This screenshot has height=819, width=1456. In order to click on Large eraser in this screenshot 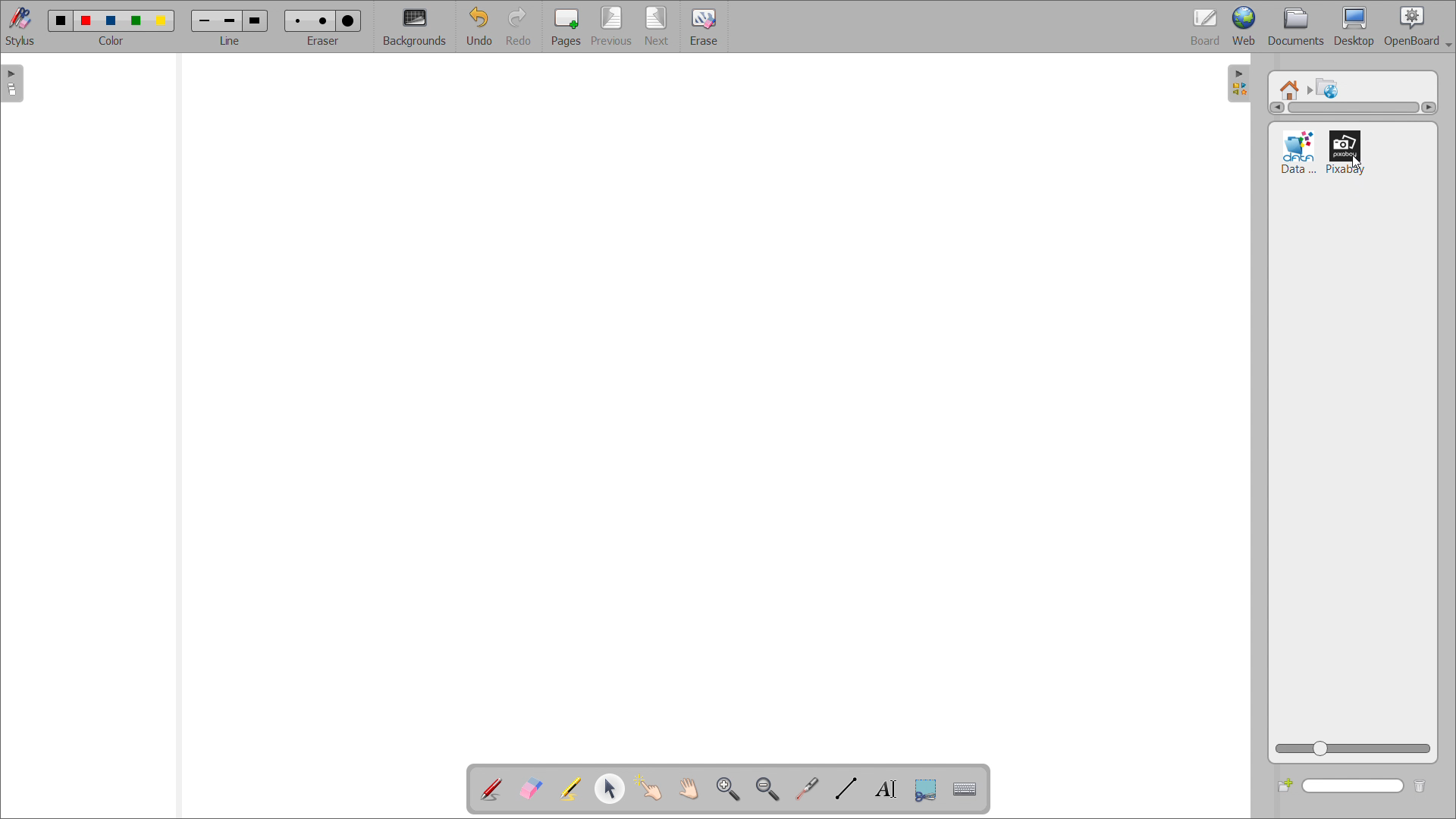, I will do `click(351, 18)`.